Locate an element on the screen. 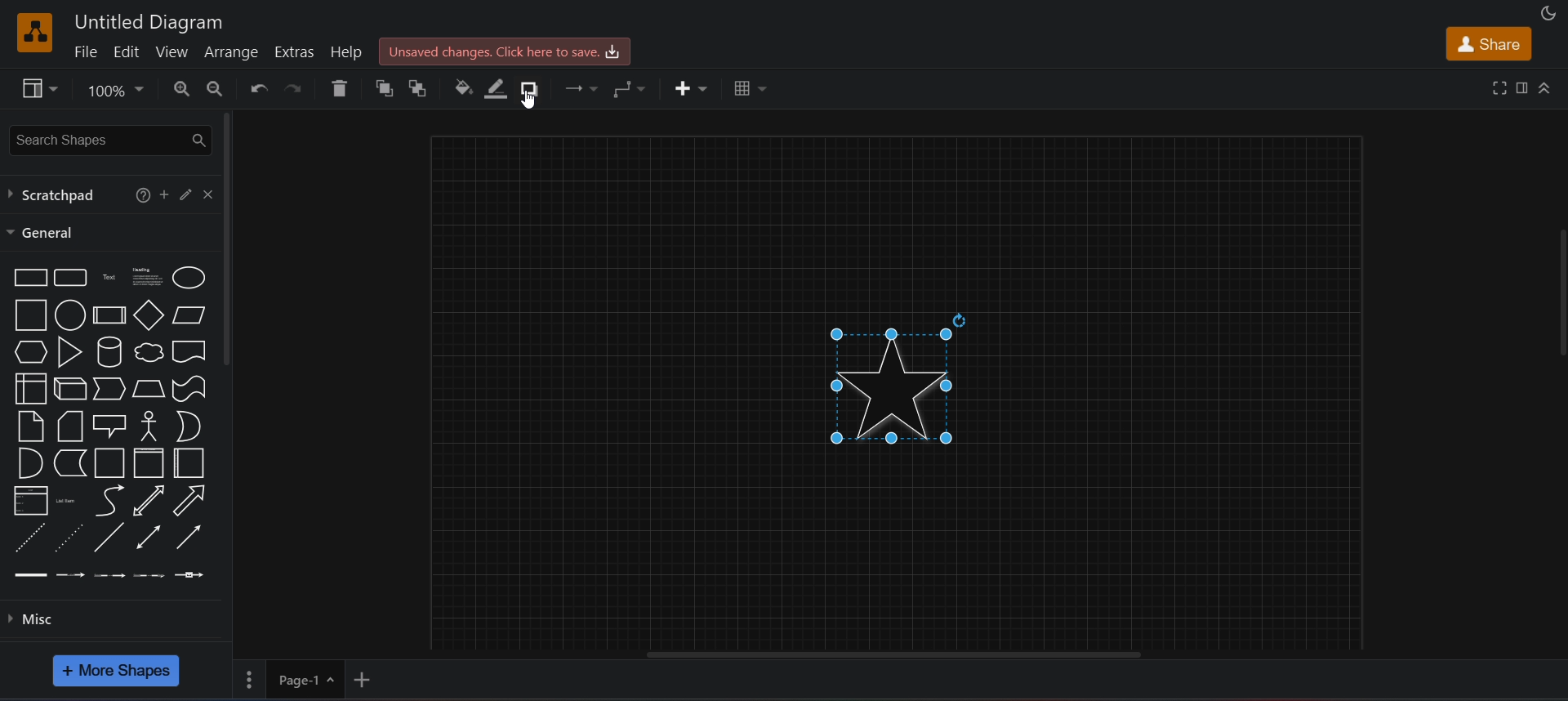 Image resolution: width=1568 pixels, height=701 pixels. connection is located at coordinates (581, 85).